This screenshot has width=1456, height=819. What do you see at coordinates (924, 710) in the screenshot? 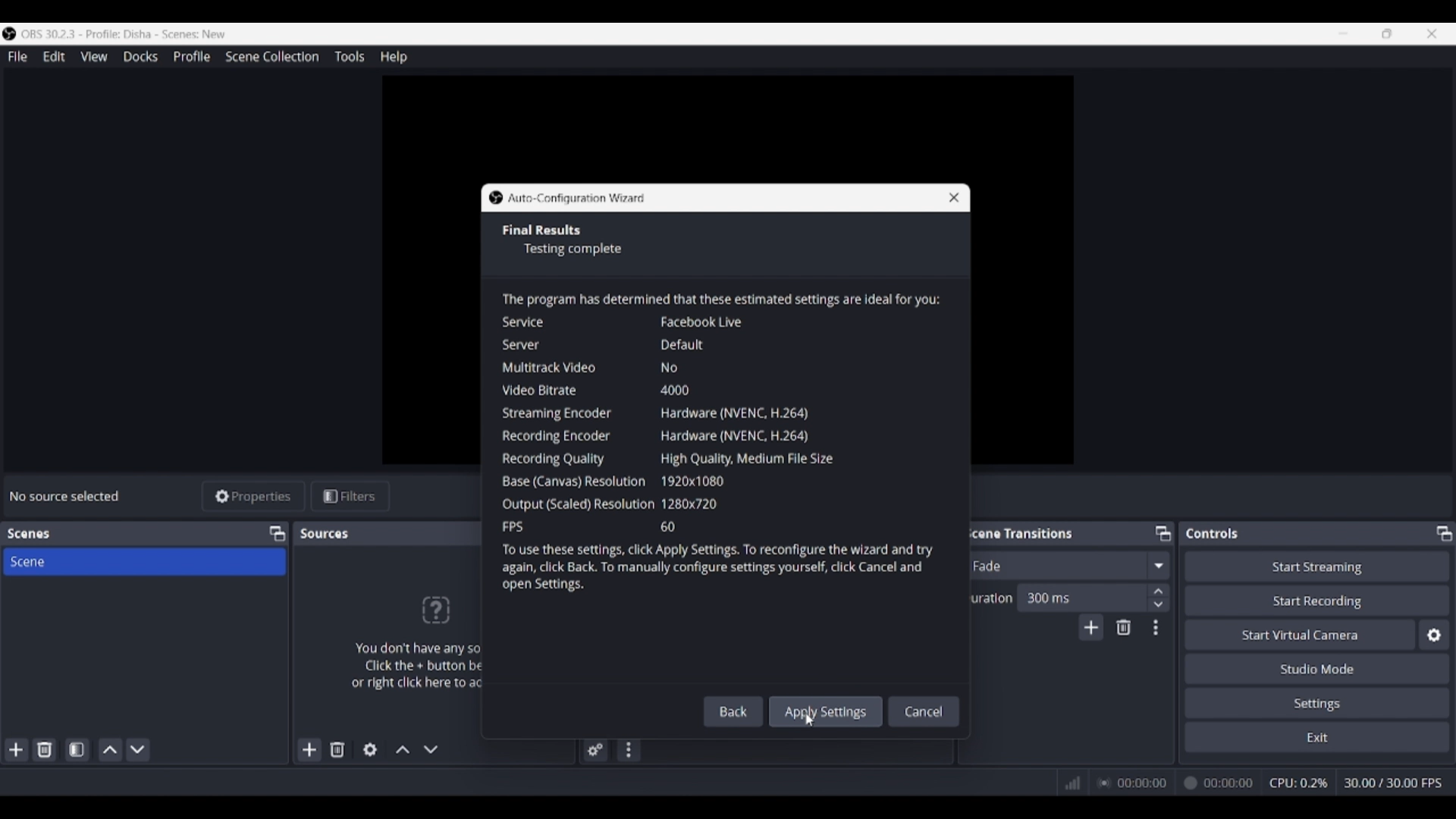
I see `Cancel` at bounding box center [924, 710].